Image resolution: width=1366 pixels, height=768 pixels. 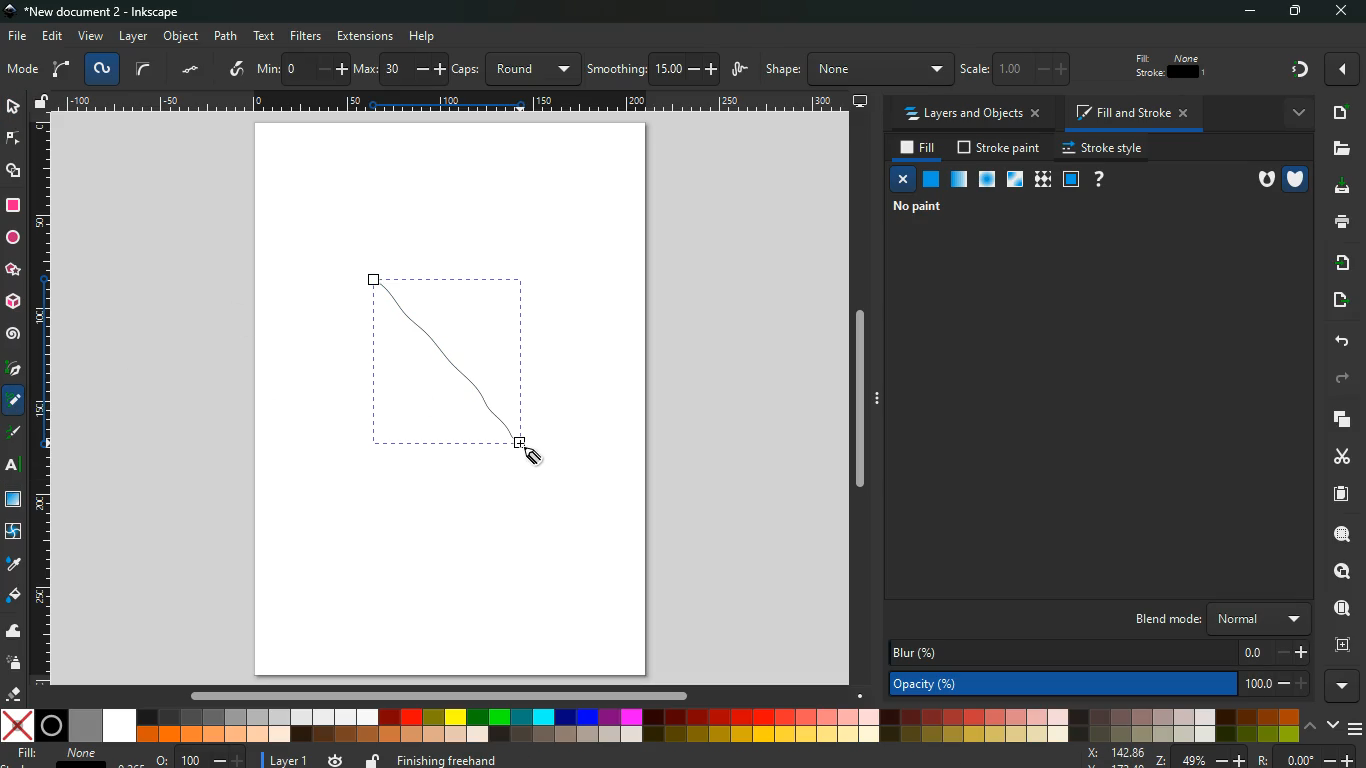 I want to click on search, so click(x=1339, y=532).